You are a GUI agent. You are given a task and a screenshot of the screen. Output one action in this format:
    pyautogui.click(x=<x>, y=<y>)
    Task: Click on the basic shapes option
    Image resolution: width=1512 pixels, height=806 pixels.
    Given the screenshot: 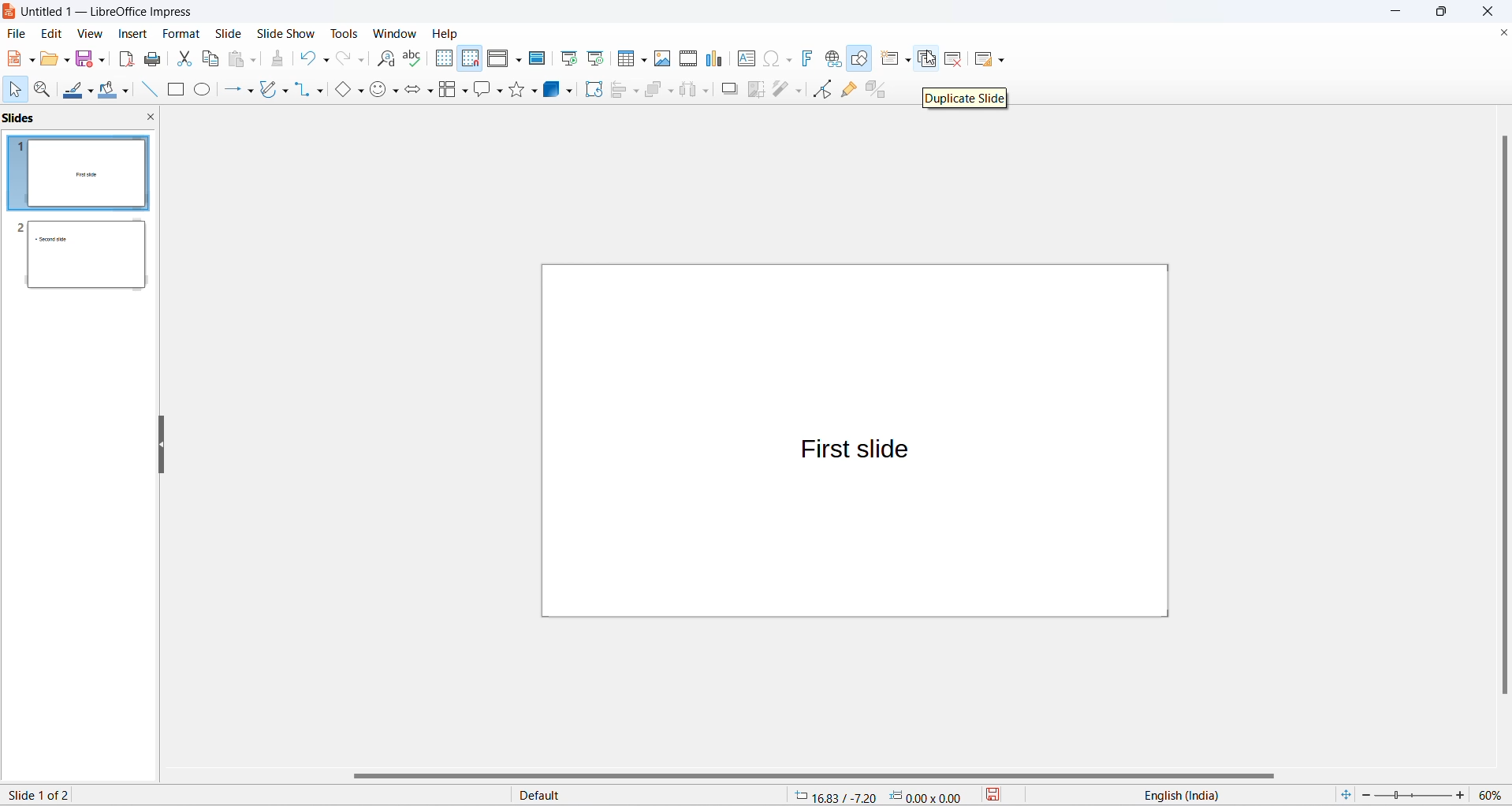 What is the action you would take?
    pyautogui.click(x=359, y=91)
    